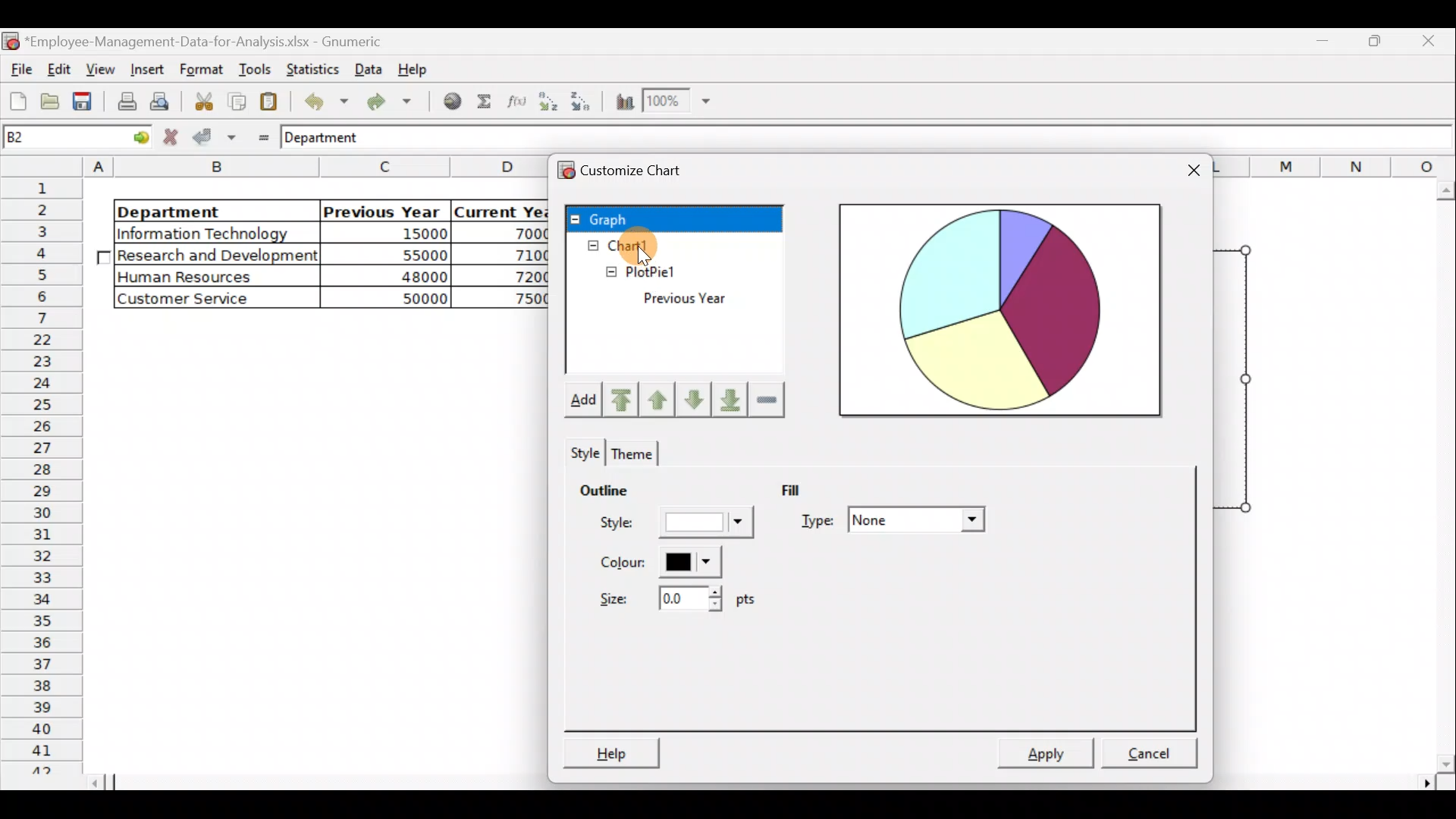  What do you see at coordinates (1054, 748) in the screenshot?
I see `Apply` at bounding box center [1054, 748].